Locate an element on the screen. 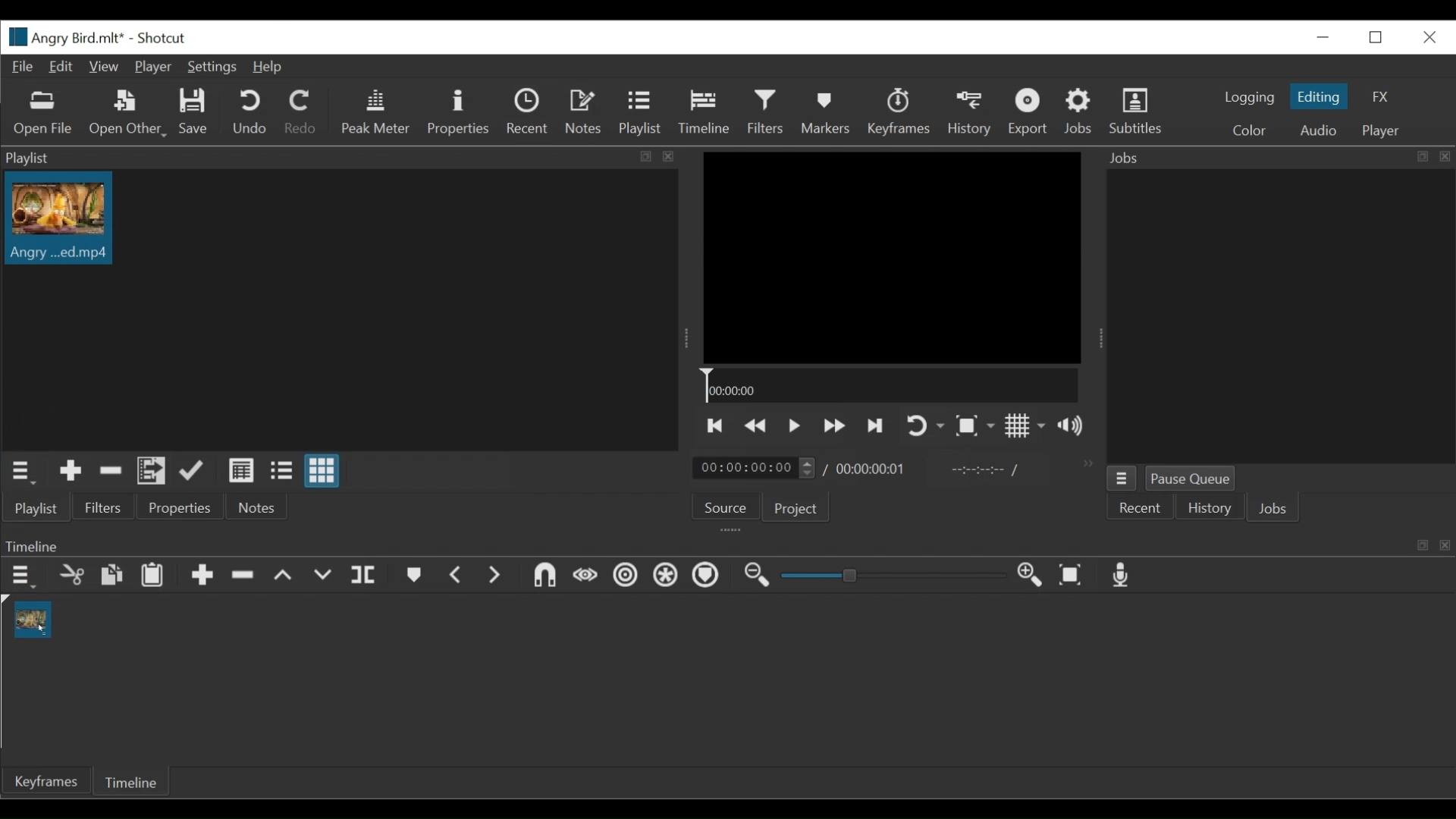  Jobs is located at coordinates (1276, 156).